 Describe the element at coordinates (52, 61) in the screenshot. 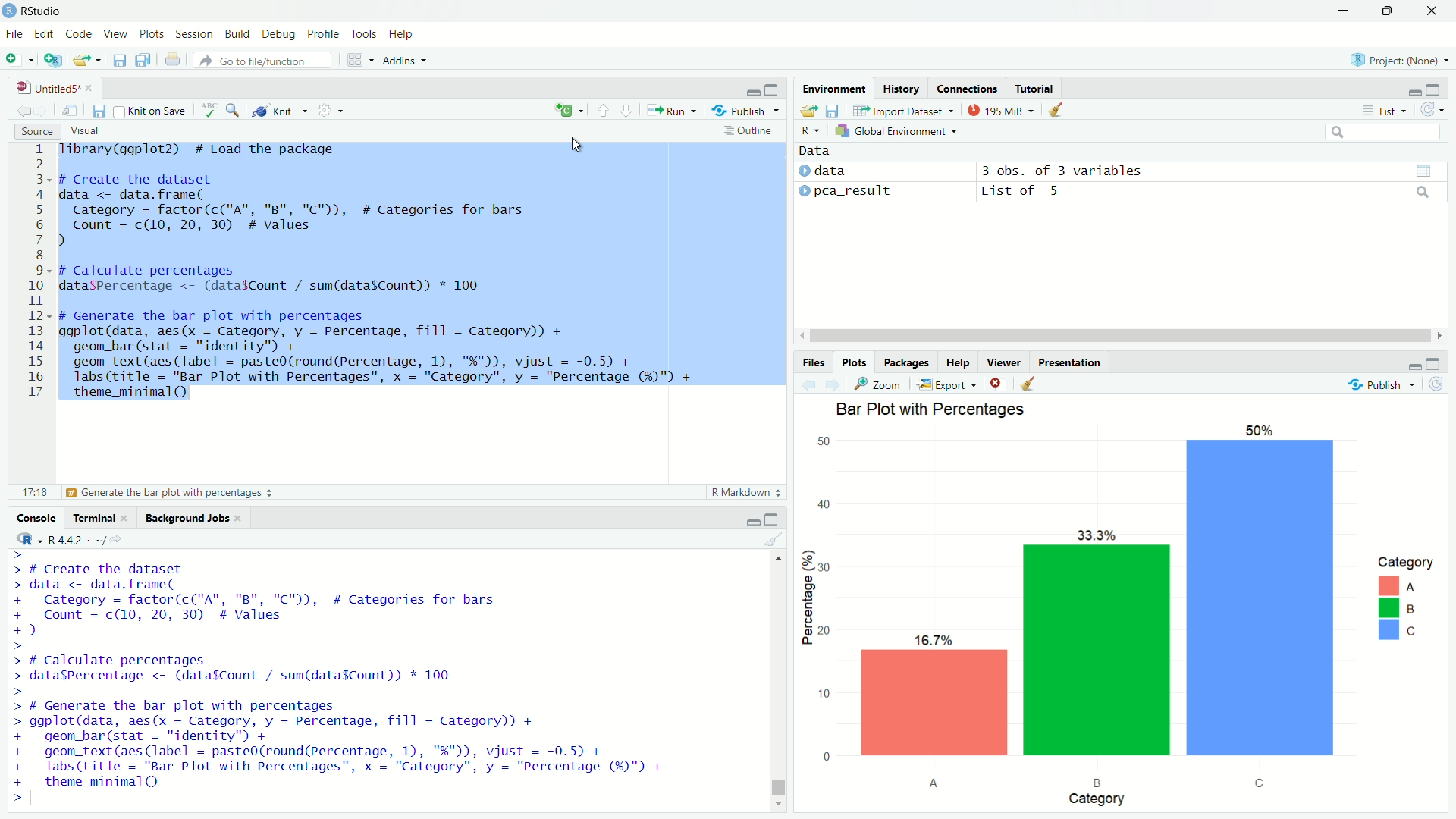

I see `new project` at that location.